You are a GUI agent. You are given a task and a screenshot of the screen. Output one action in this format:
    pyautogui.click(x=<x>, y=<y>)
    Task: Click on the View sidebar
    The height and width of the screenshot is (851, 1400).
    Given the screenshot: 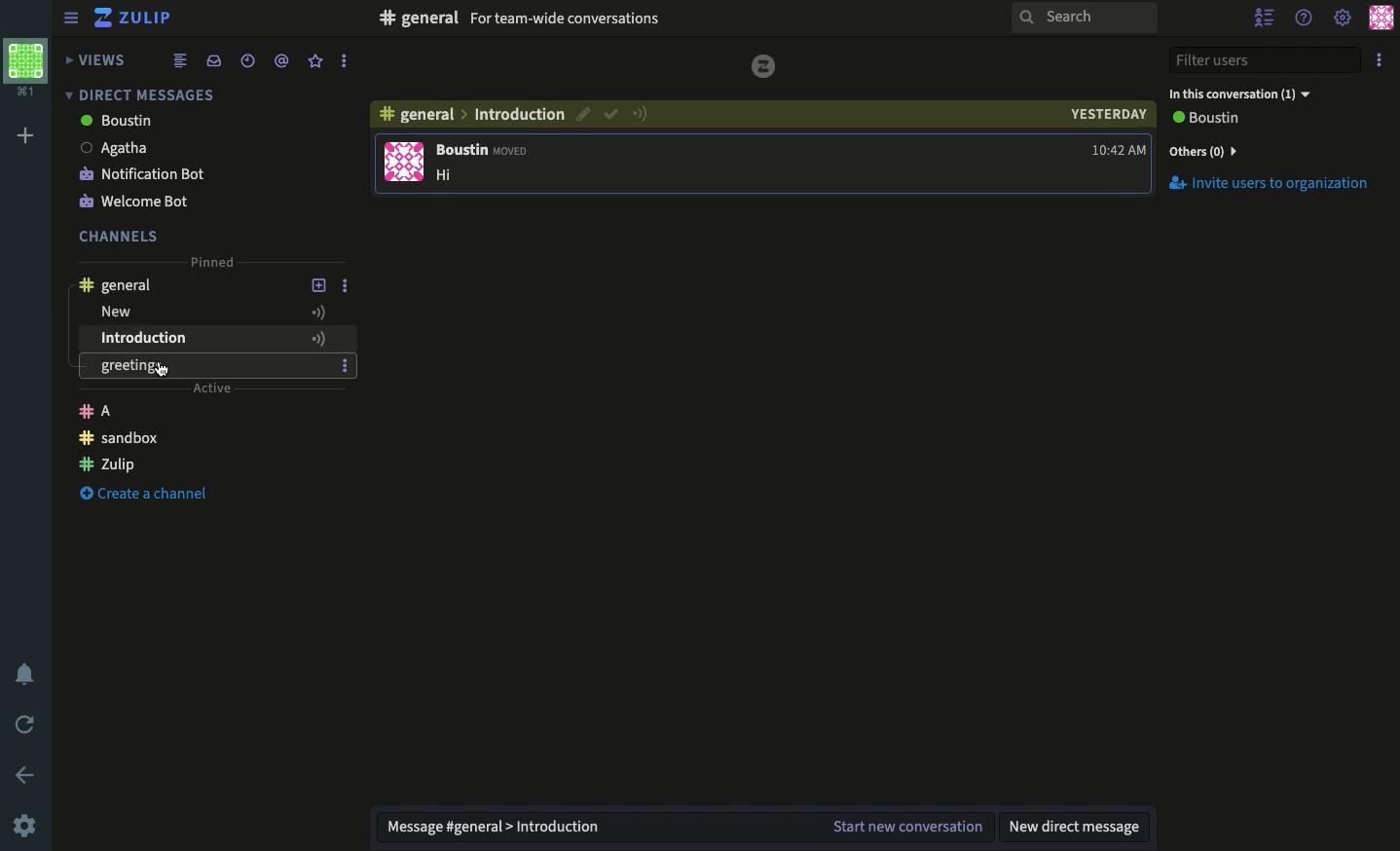 What is the action you would take?
    pyautogui.click(x=72, y=20)
    